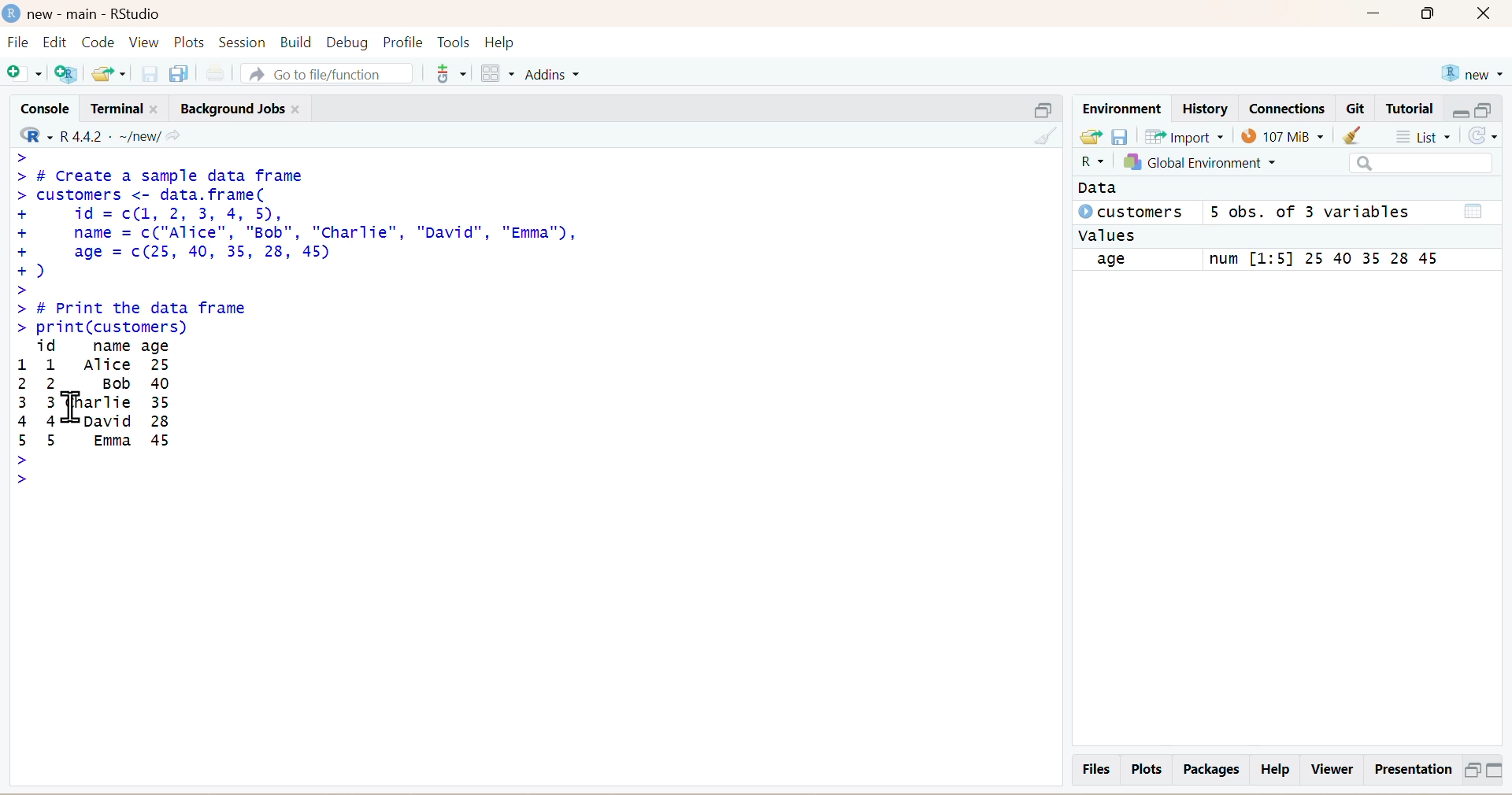 The width and height of the screenshot is (1512, 795). I want to click on Load workspace, so click(1090, 137).